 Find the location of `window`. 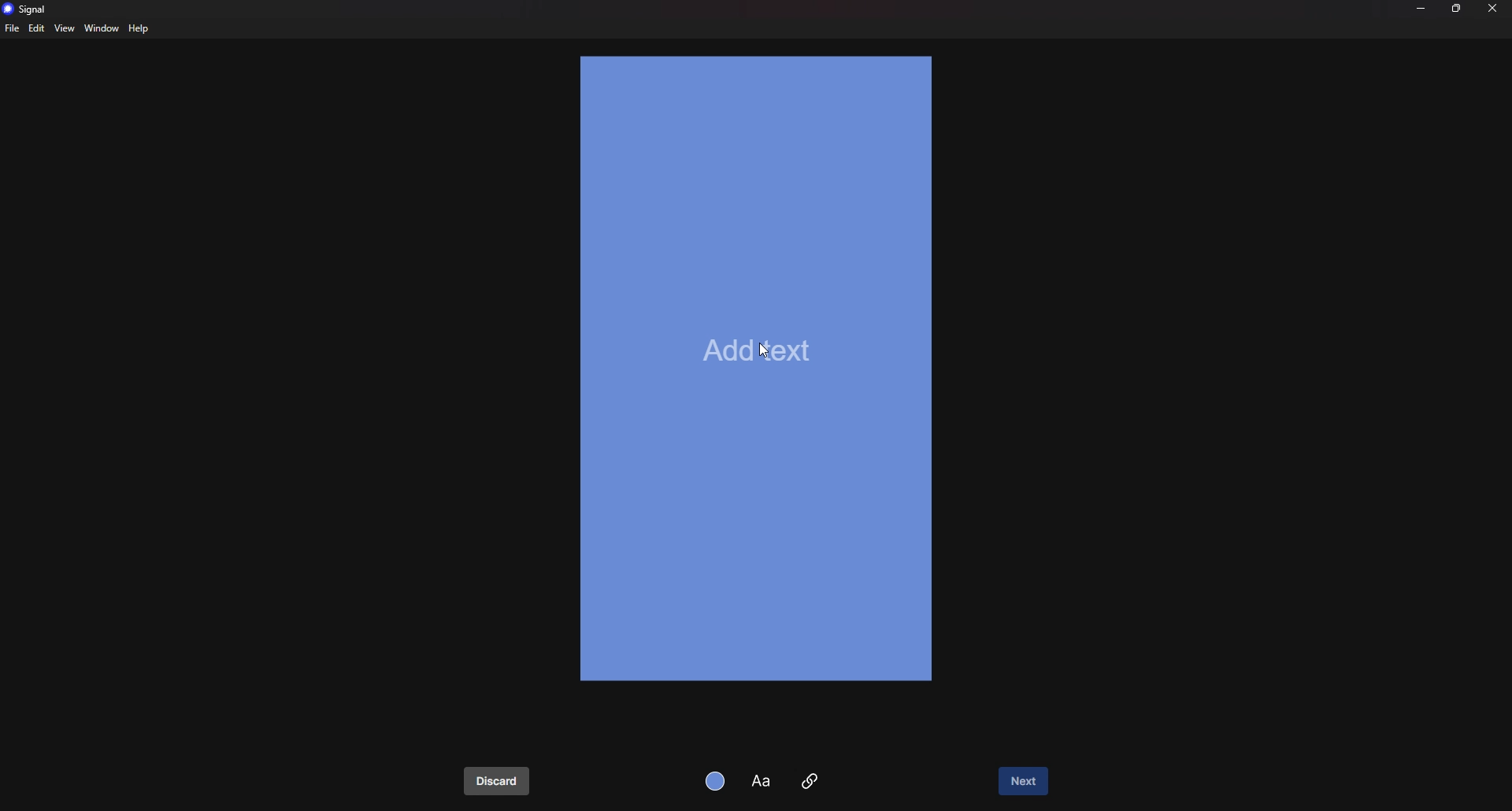

window is located at coordinates (101, 29).